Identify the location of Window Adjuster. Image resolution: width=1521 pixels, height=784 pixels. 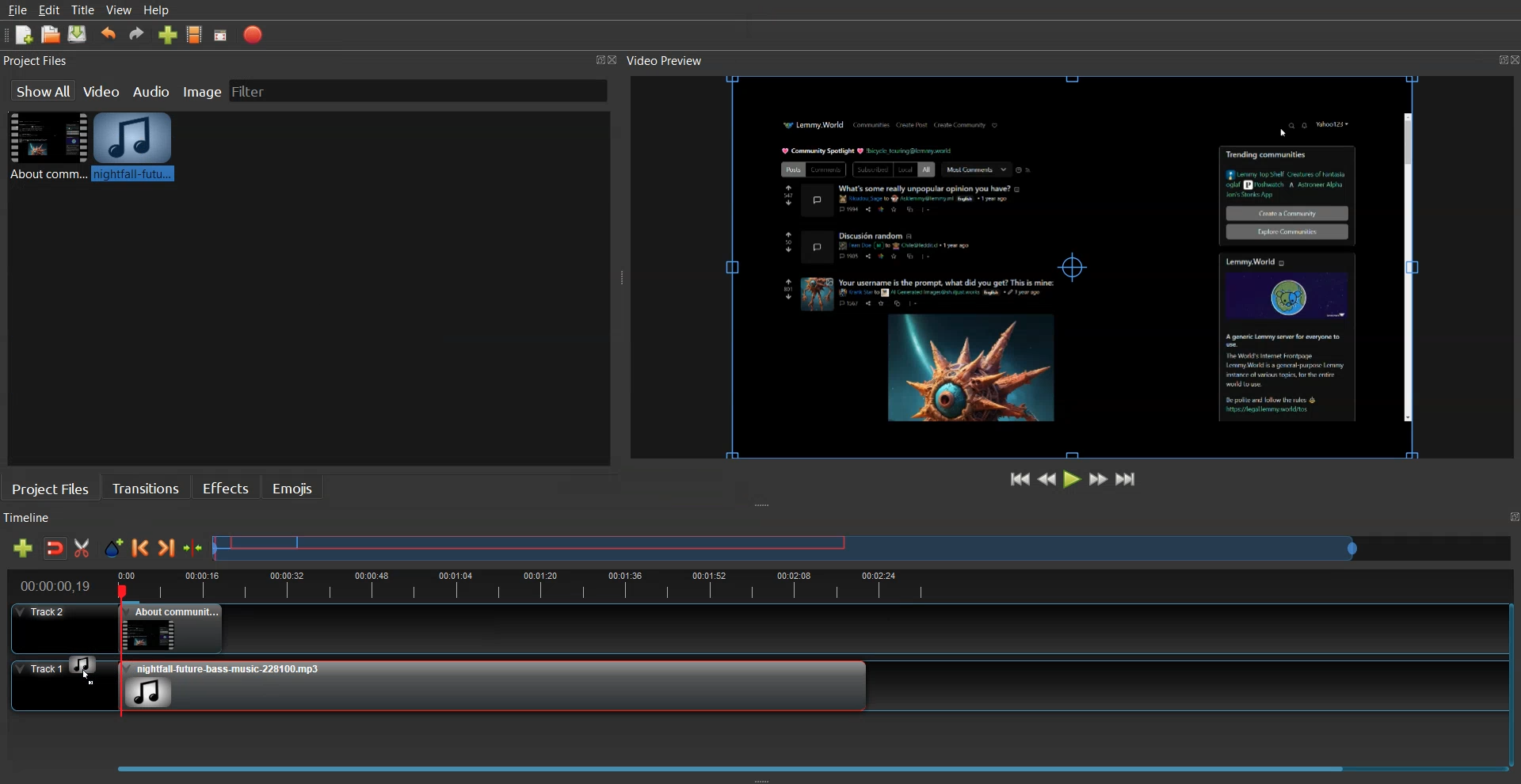
(762, 778).